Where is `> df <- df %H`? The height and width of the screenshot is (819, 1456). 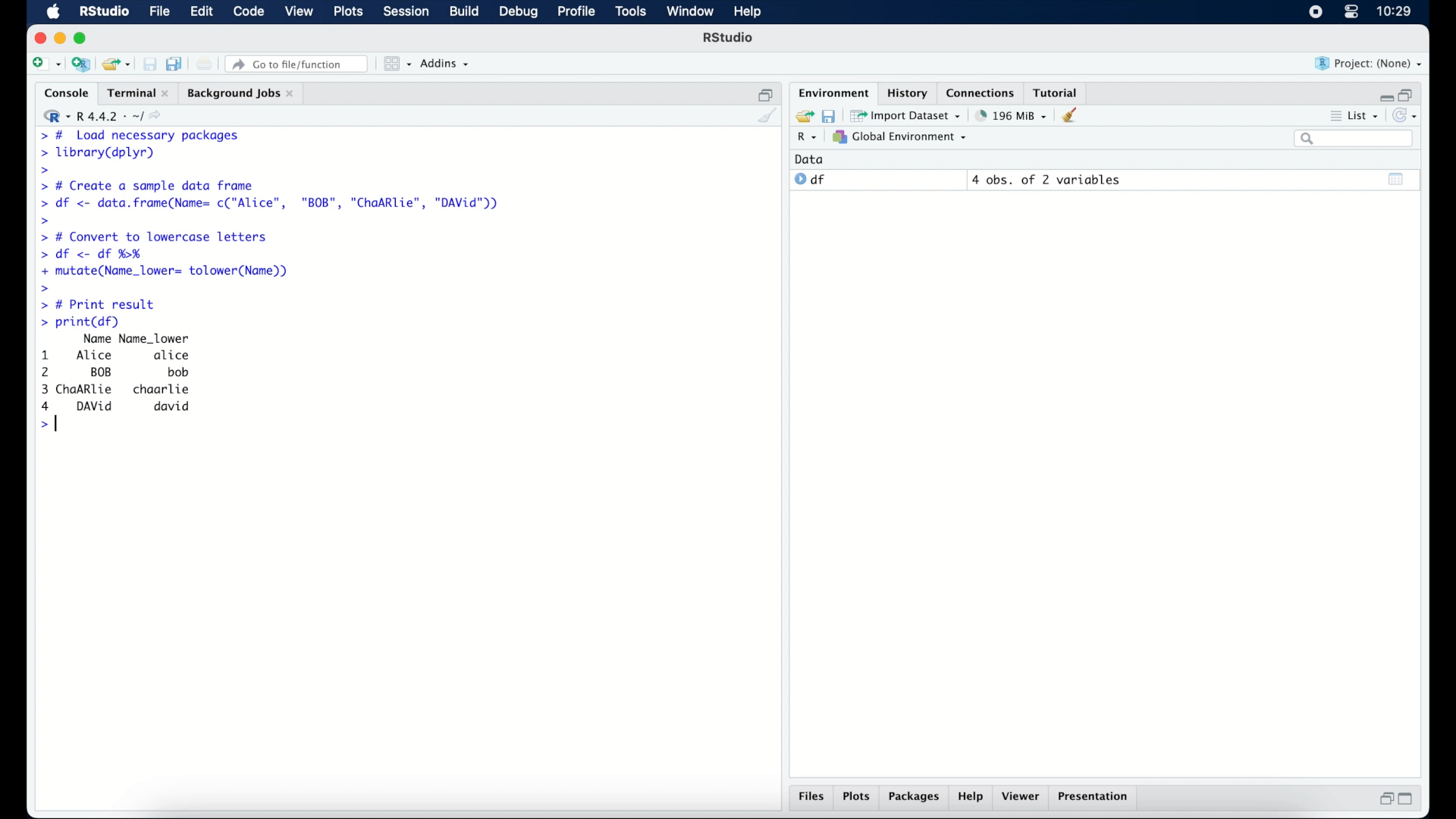
> df <- df %H is located at coordinates (96, 256).